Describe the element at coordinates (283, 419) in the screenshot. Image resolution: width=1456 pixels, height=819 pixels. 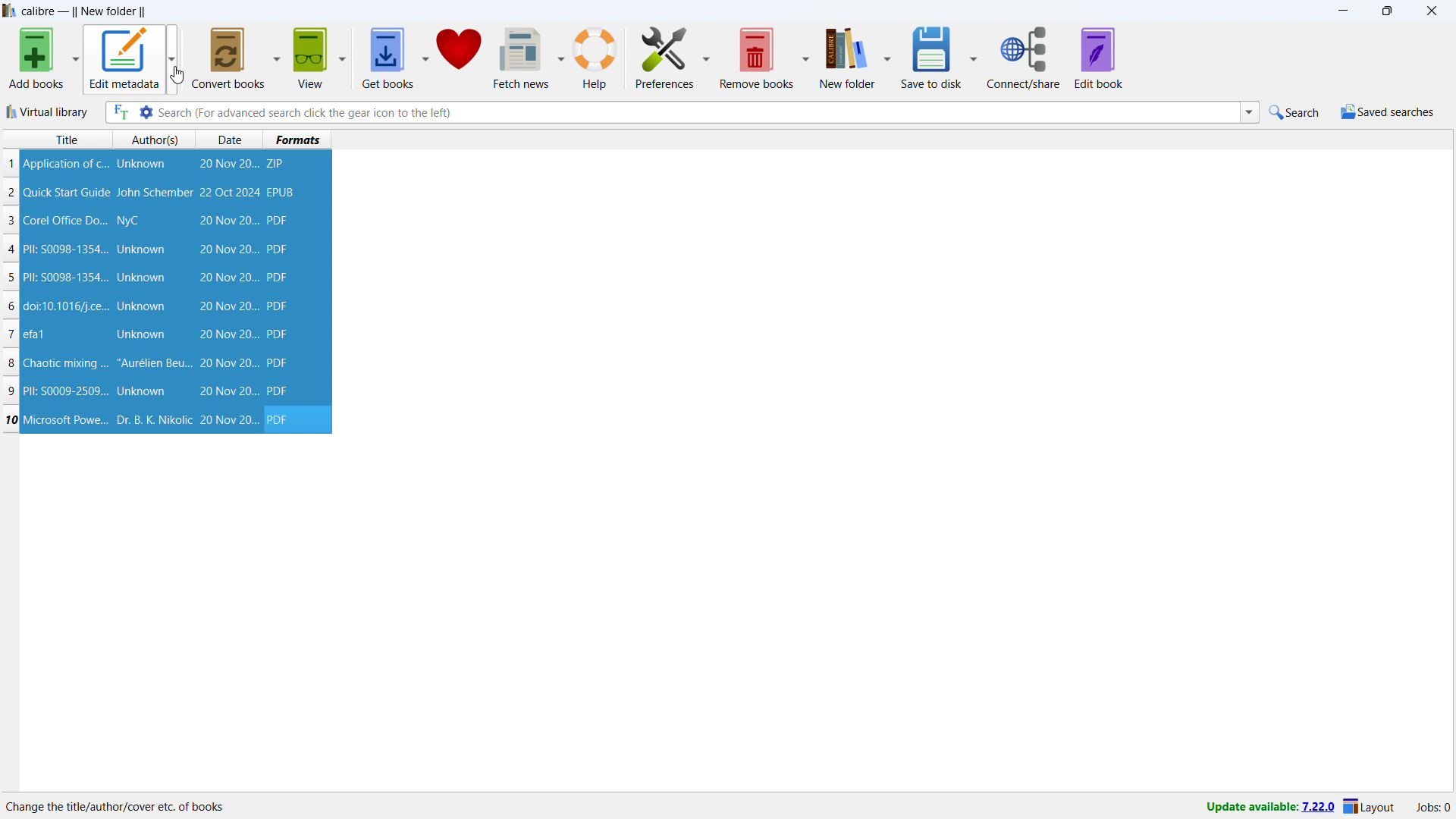
I see `PDF` at that location.